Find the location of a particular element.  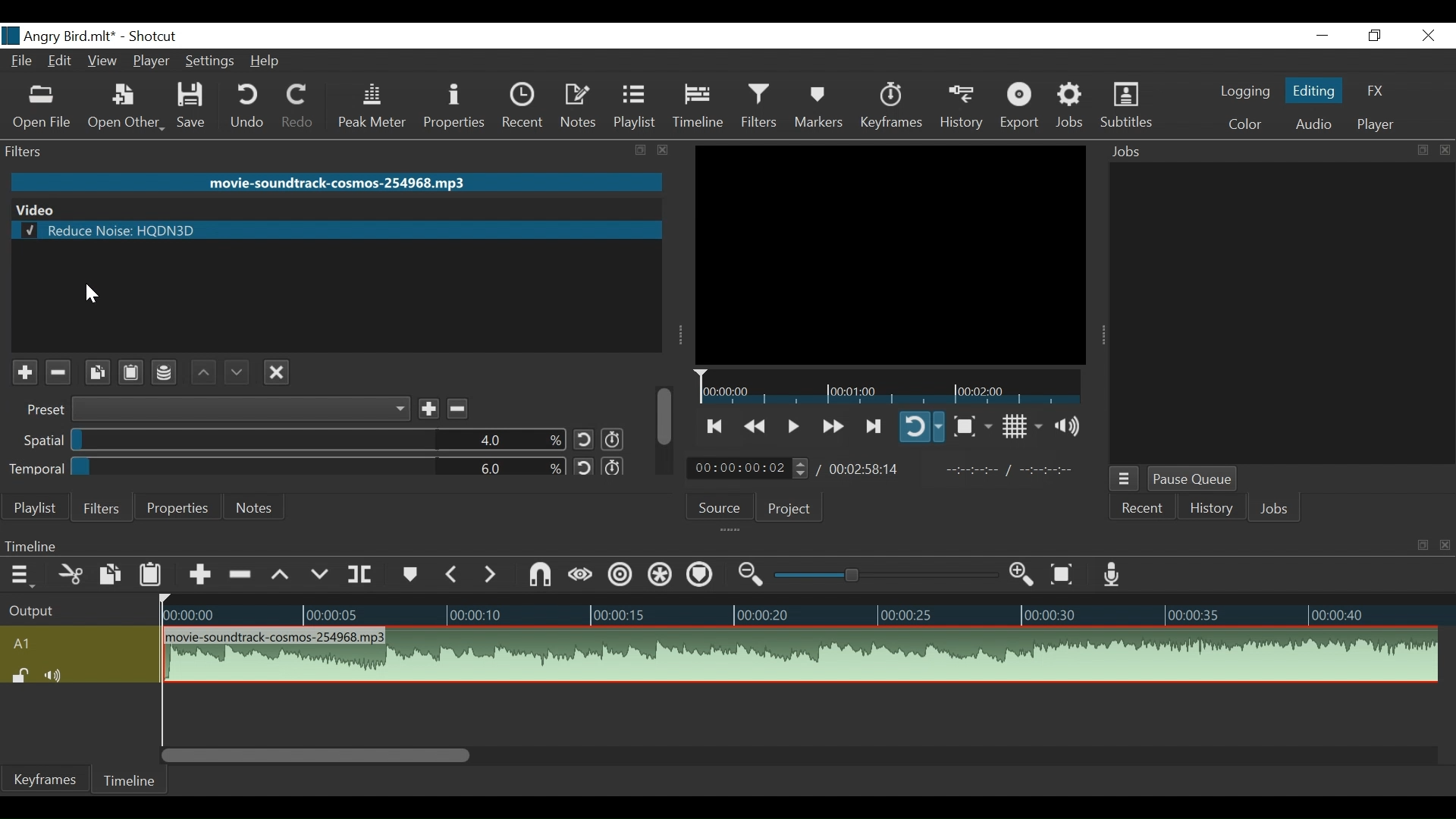

Recent is located at coordinates (1143, 508).